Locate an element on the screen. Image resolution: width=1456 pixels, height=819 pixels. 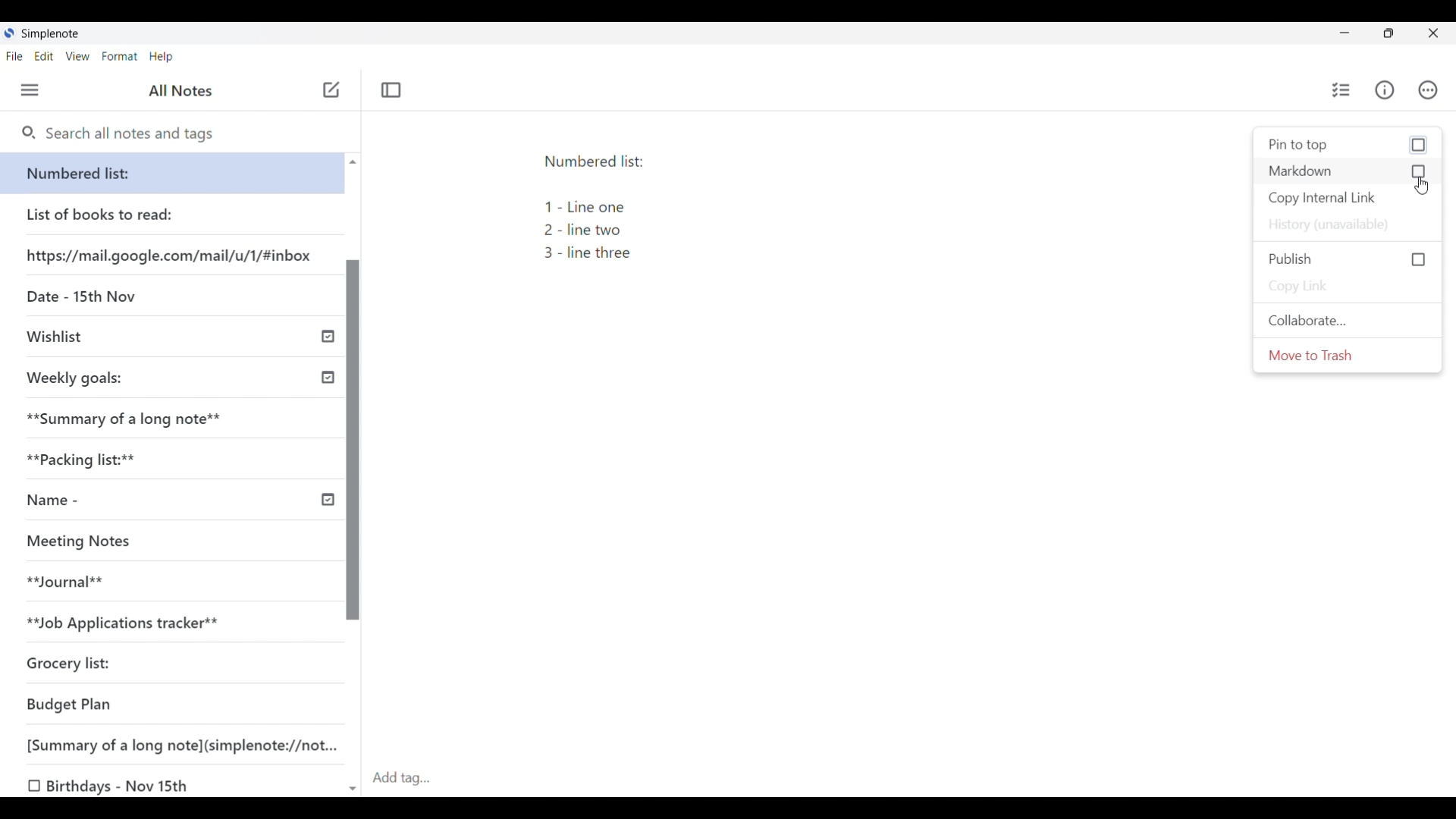
Packiacking list:** is located at coordinates (90, 463).